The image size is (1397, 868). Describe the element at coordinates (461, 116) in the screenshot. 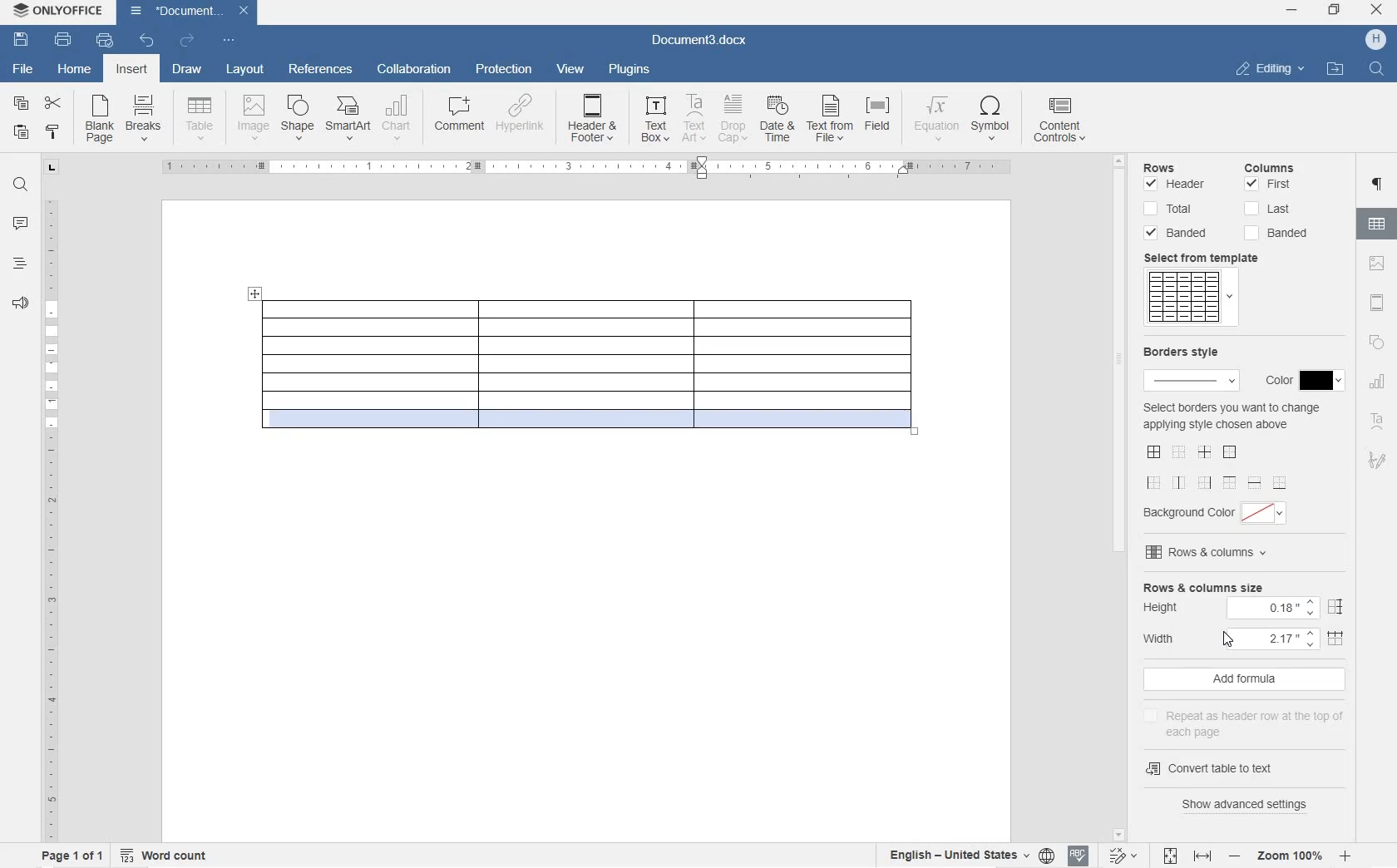

I see `COMMENT` at that location.